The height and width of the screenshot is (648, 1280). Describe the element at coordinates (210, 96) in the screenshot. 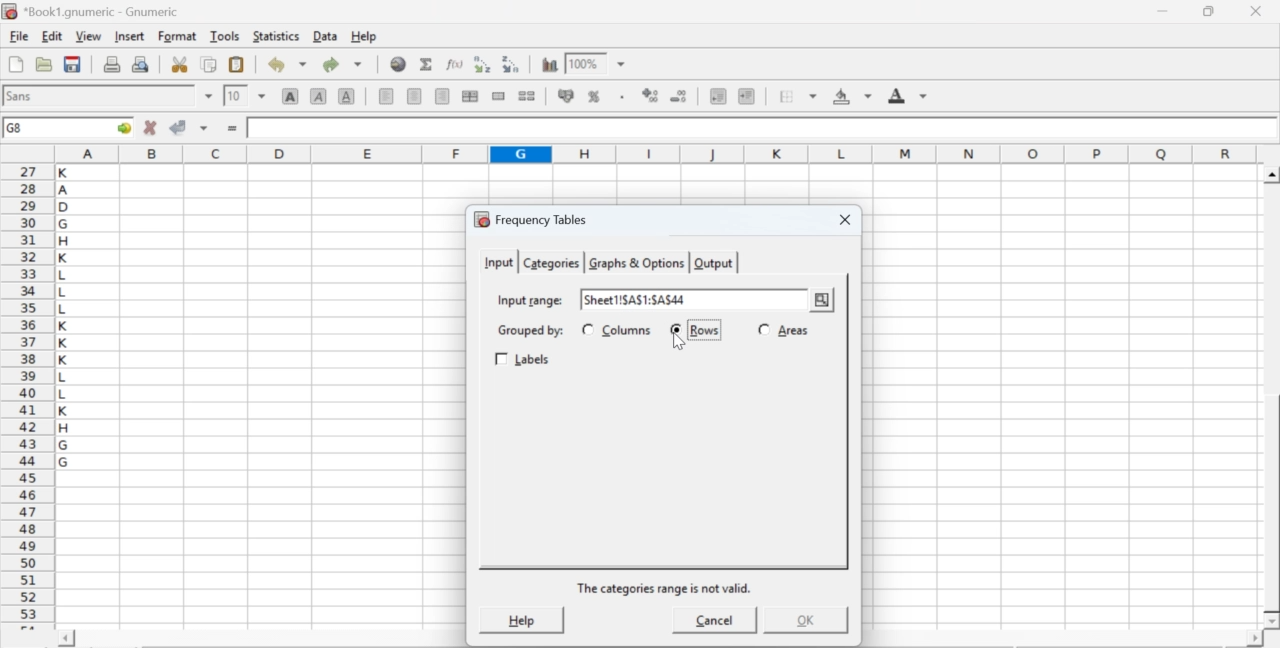

I see `drop down` at that location.